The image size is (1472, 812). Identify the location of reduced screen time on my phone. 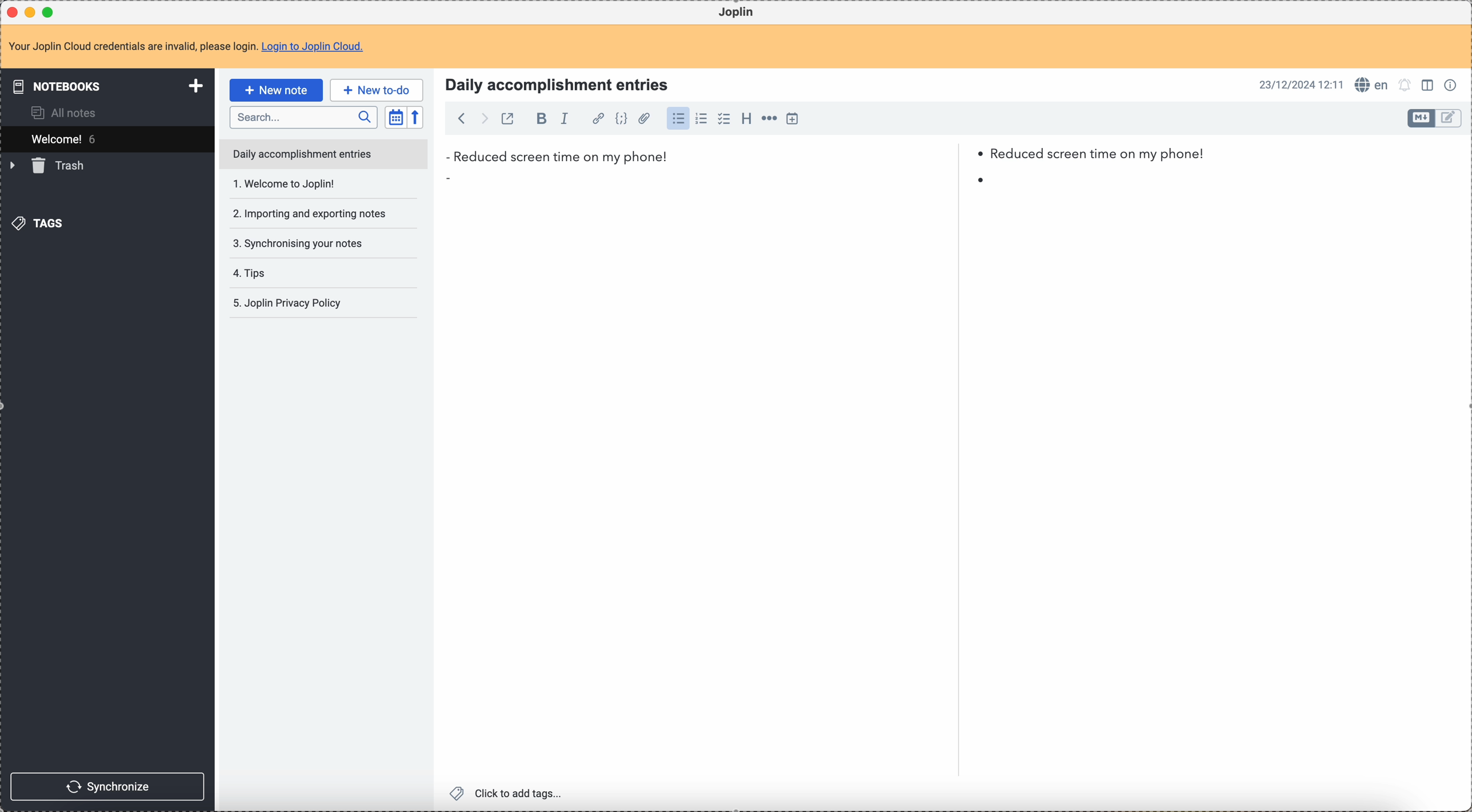
(825, 157).